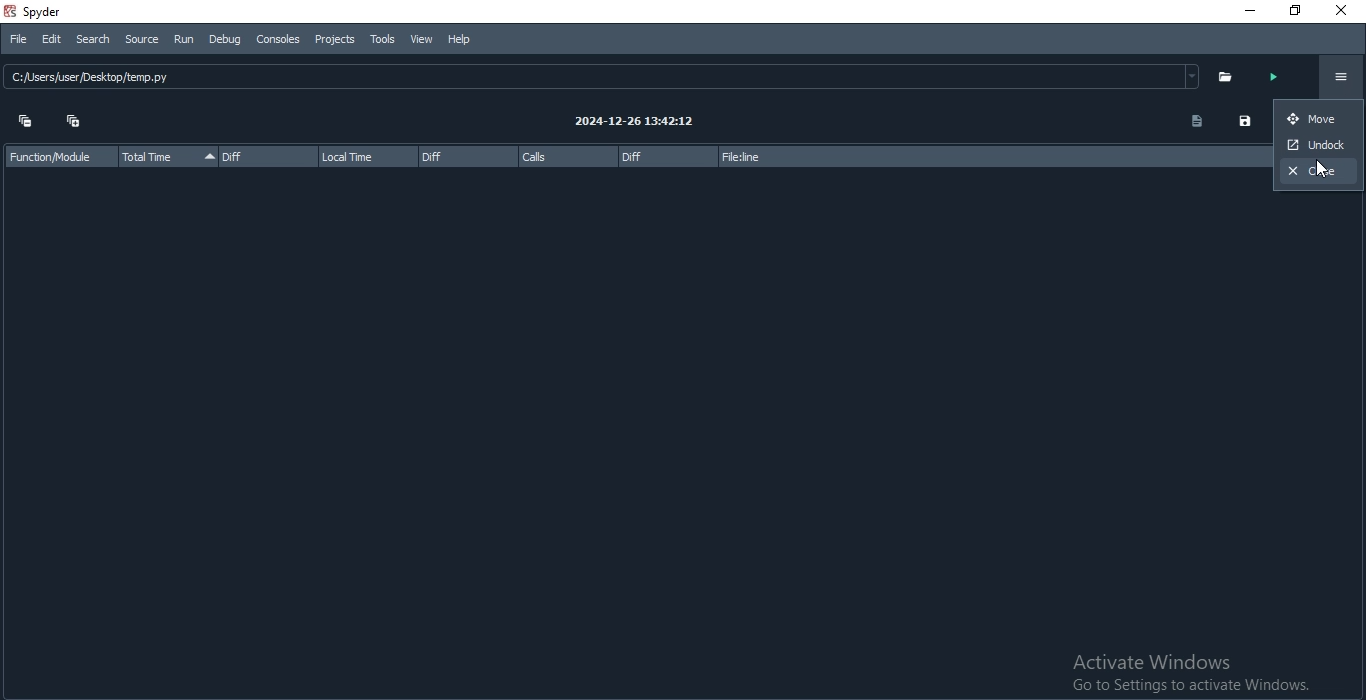  What do you see at coordinates (1342, 77) in the screenshot?
I see `Options` at bounding box center [1342, 77].